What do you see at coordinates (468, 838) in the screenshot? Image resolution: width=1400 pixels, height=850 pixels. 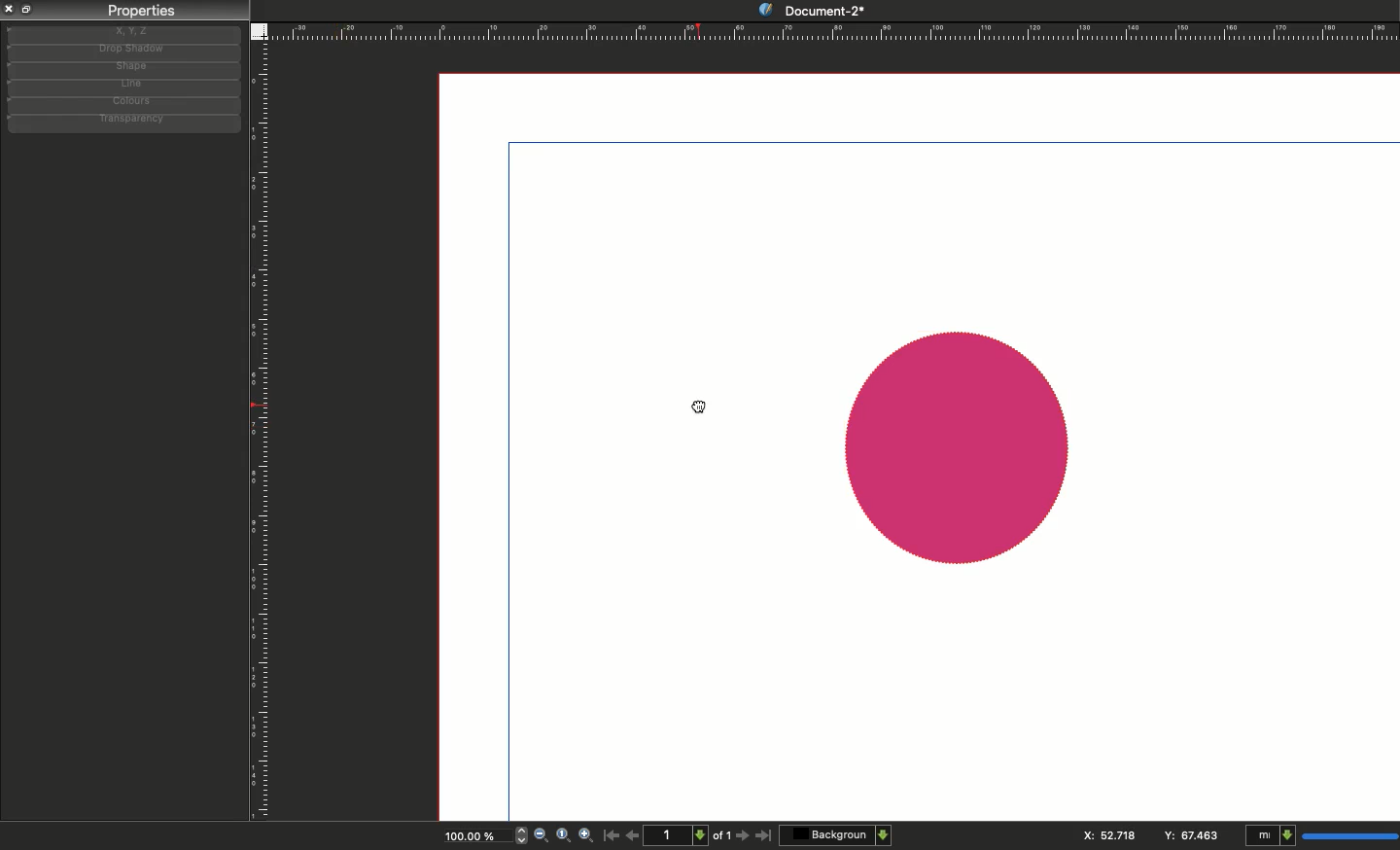 I see `100.00%` at bounding box center [468, 838].